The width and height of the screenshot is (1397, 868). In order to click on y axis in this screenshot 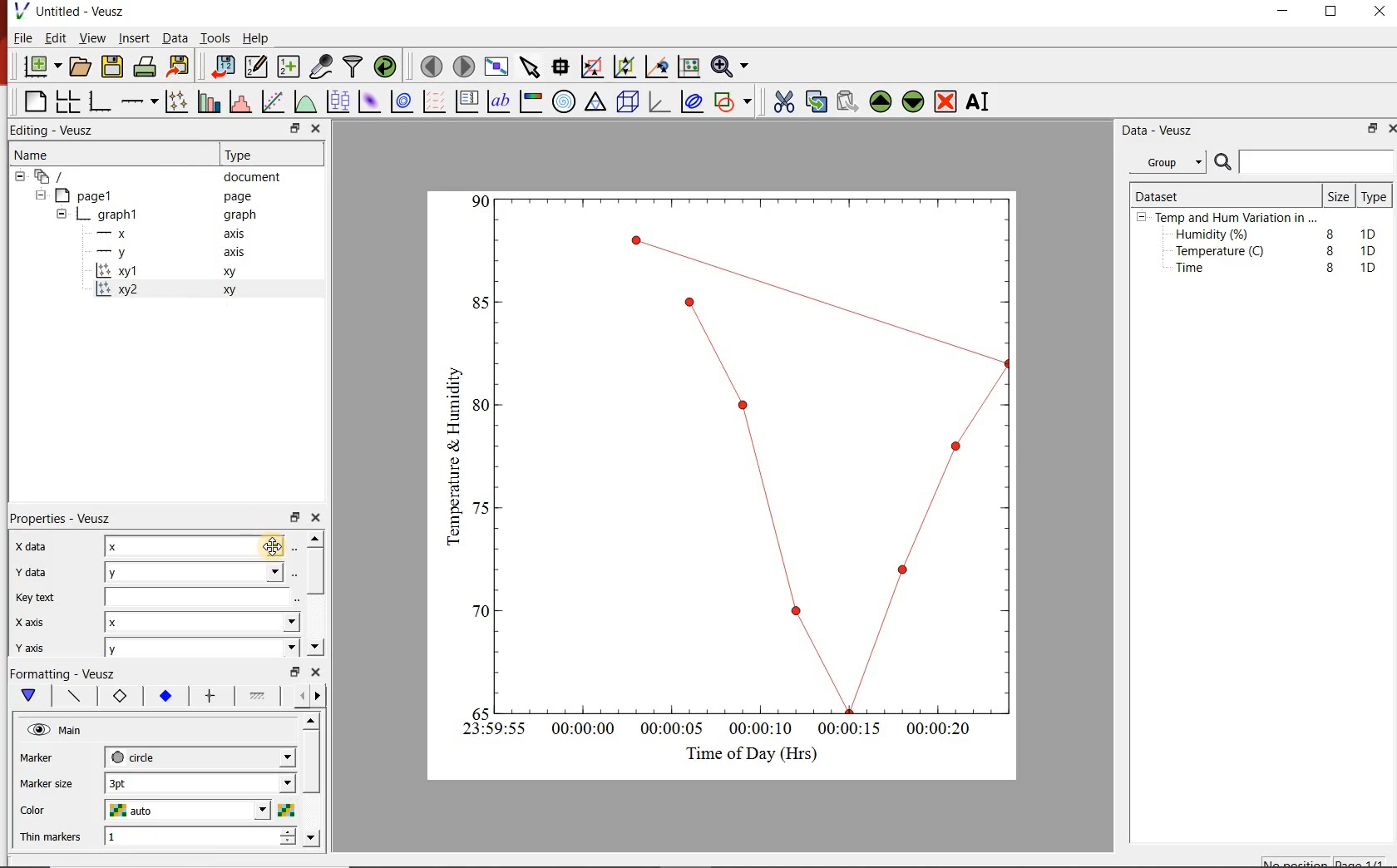, I will do `click(42, 645)`.